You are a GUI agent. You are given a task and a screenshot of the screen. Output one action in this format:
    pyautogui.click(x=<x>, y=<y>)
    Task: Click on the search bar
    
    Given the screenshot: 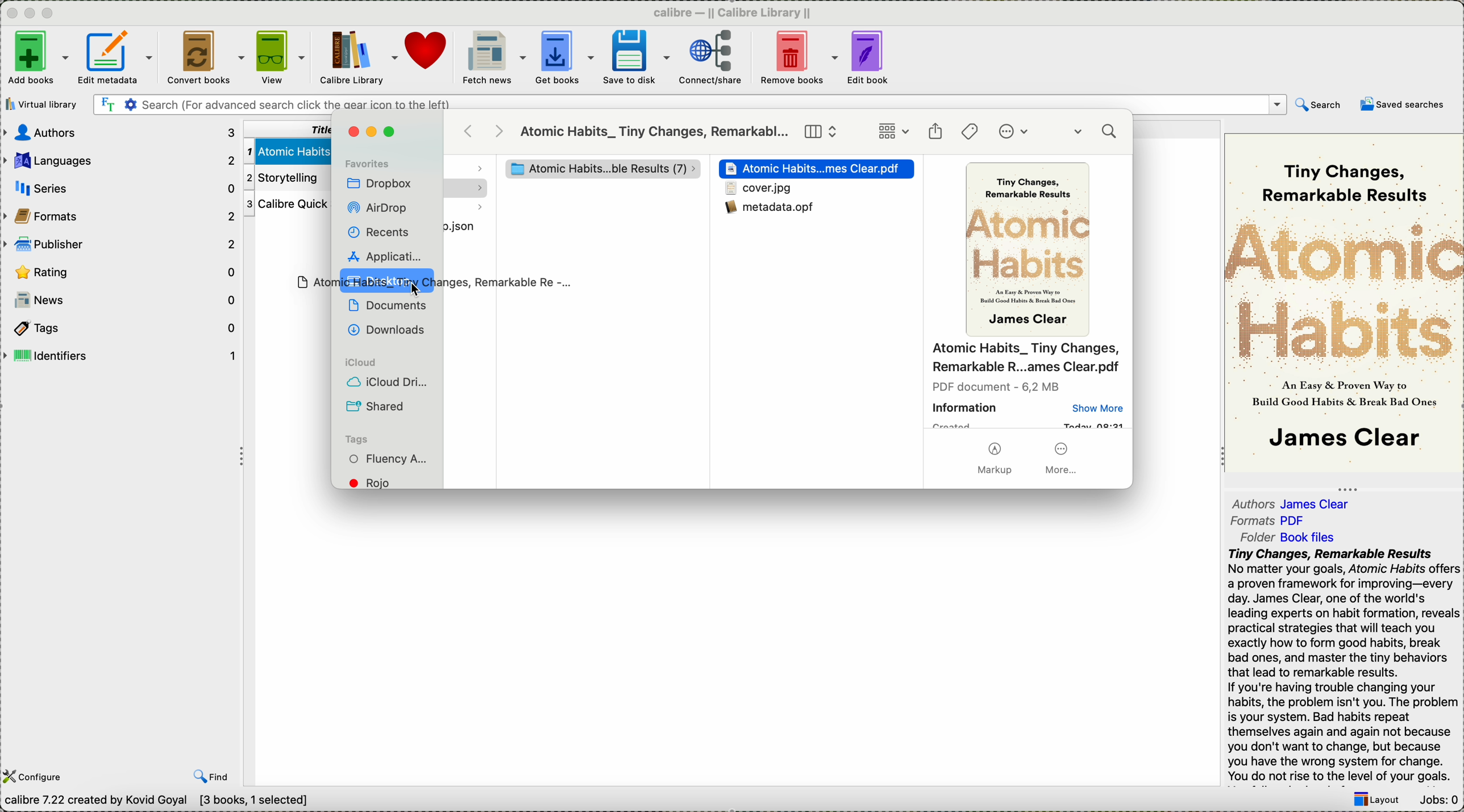 What is the action you would take?
    pyautogui.click(x=688, y=105)
    